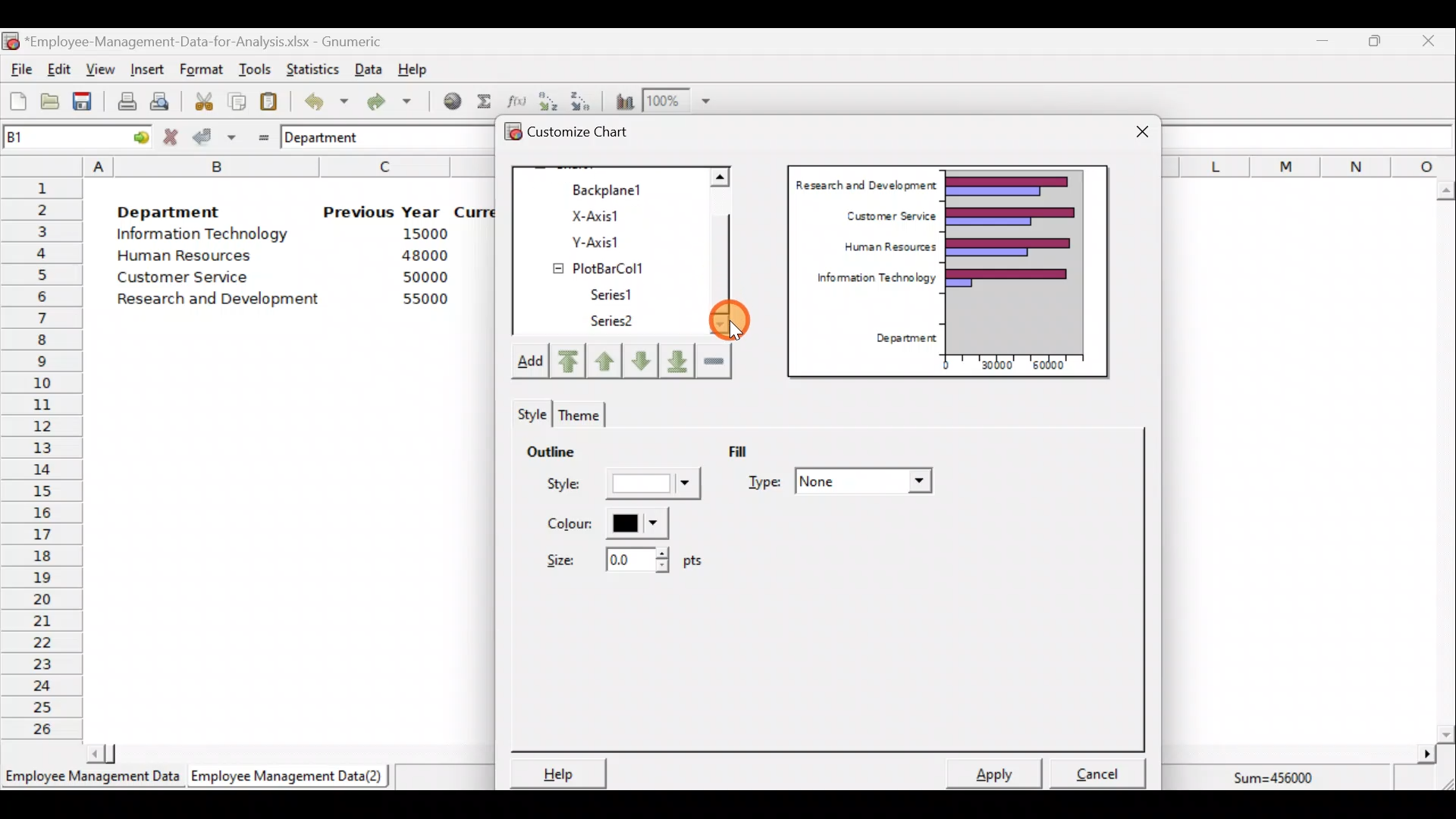 This screenshot has height=819, width=1456. What do you see at coordinates (640, 361) in the screenshot?
I see `Move down` at bounding box center [640, 361].